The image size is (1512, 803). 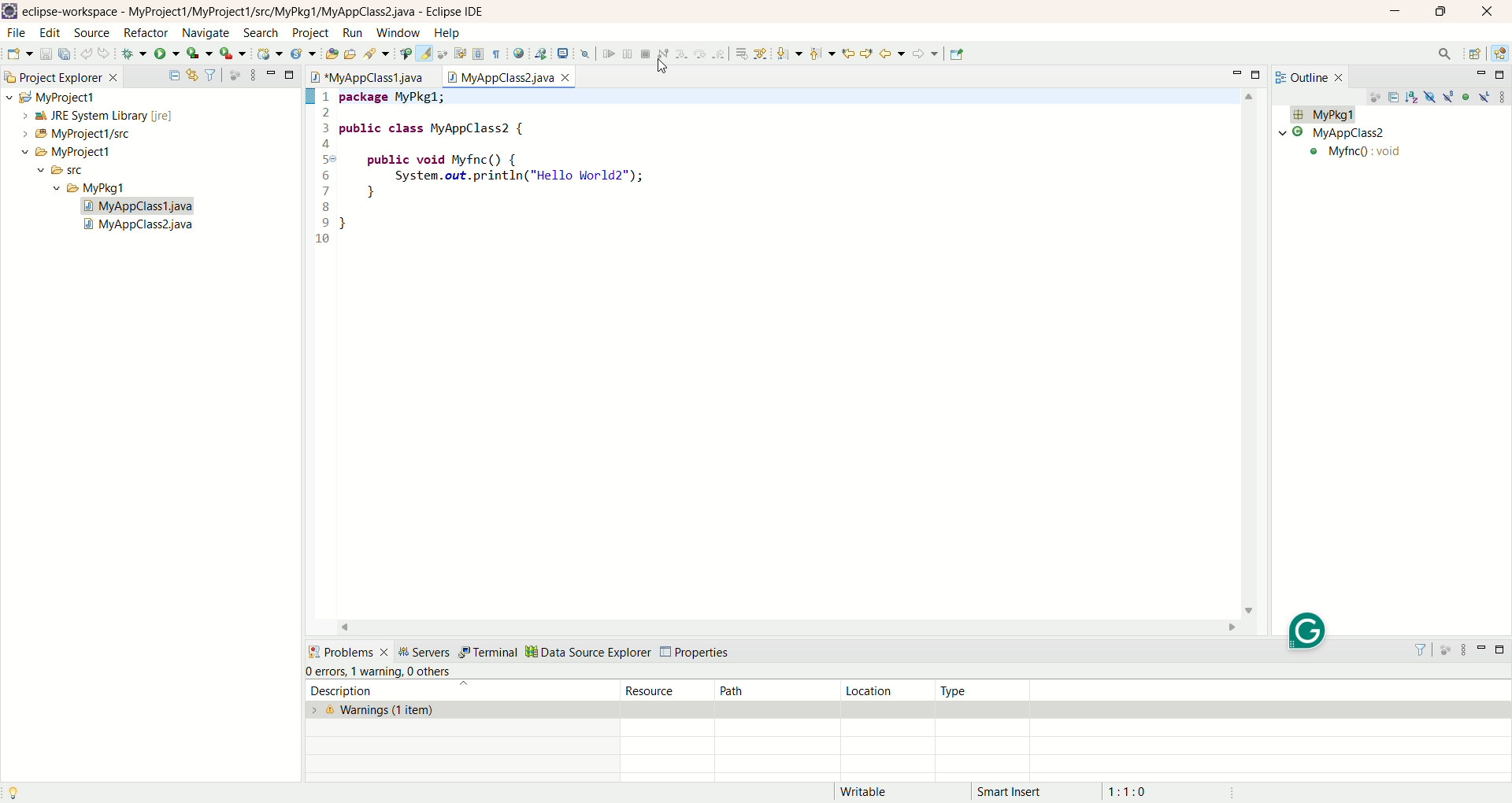 What do you see at coordinates (376, 670) in the screenshot?
I see `warning` at bounding box center [376, 670].